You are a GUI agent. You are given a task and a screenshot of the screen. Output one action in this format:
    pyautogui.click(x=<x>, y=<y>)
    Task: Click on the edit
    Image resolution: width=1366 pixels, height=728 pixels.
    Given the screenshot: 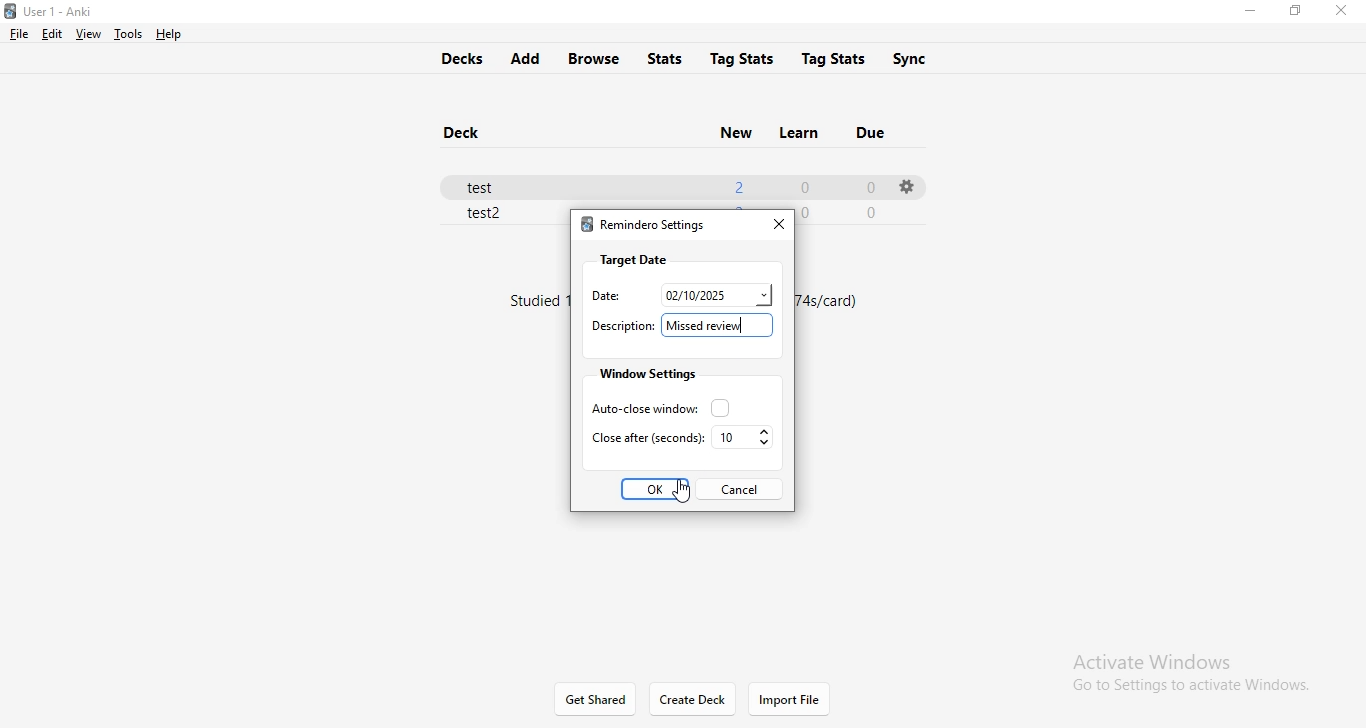 What is the action you would take?
    pyautogui.click(x=50, y=33)
    